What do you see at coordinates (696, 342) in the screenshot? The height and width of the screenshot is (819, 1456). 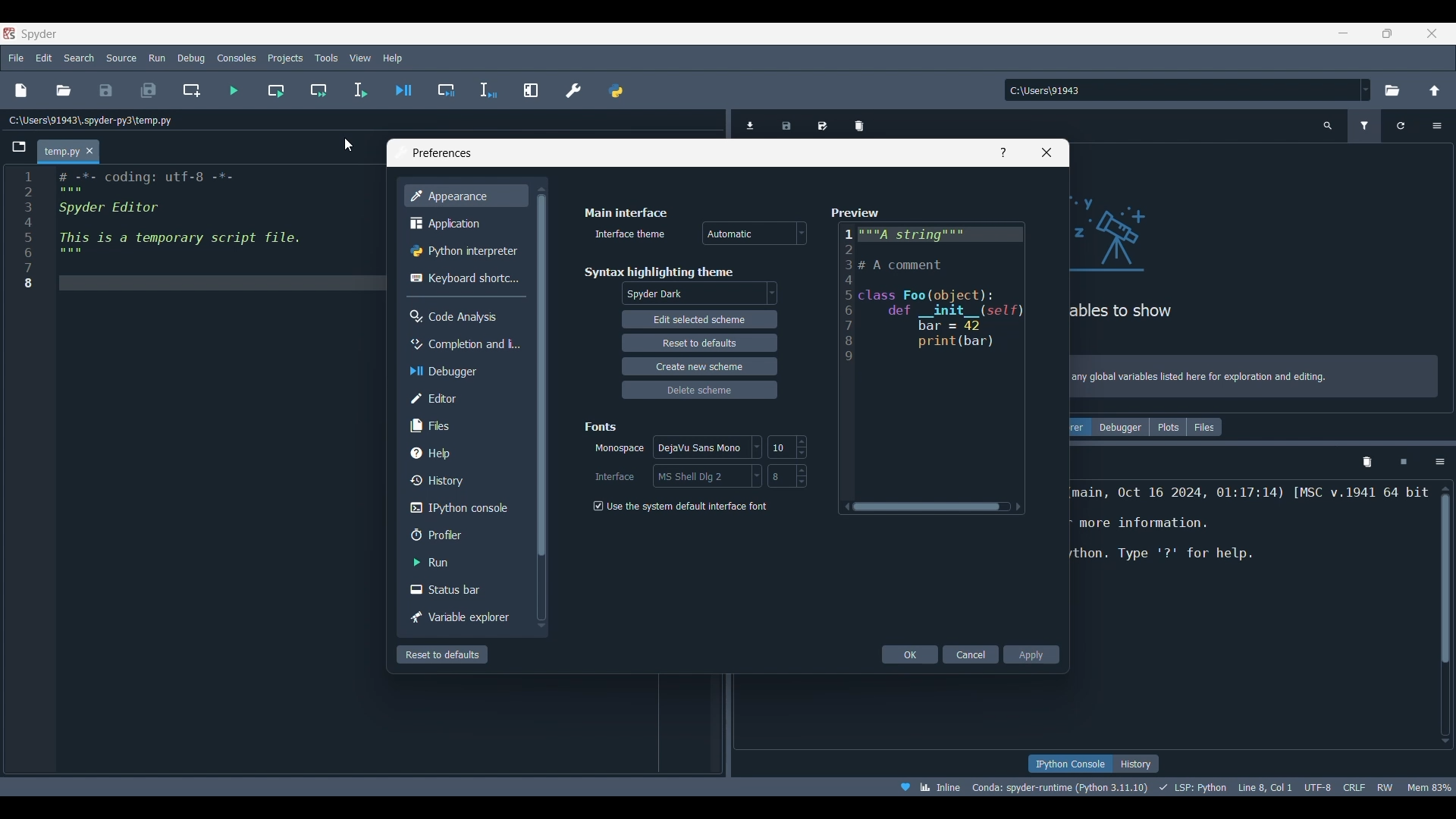 I see `© Reset to defaults` at bounding box center [696, 342].